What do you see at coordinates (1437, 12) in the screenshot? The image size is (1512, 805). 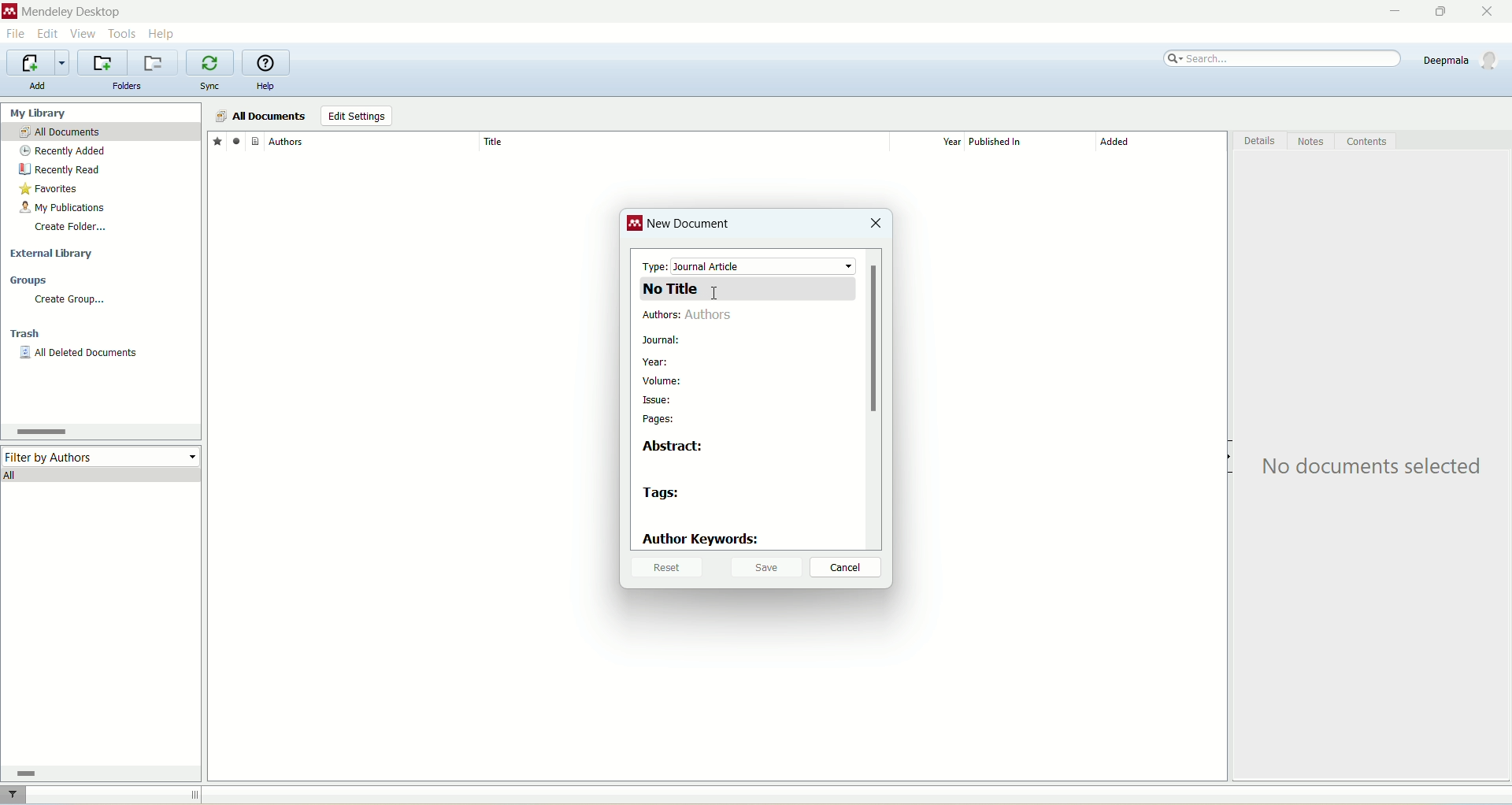 I see `maximize` at bounding box center [1437, 12].